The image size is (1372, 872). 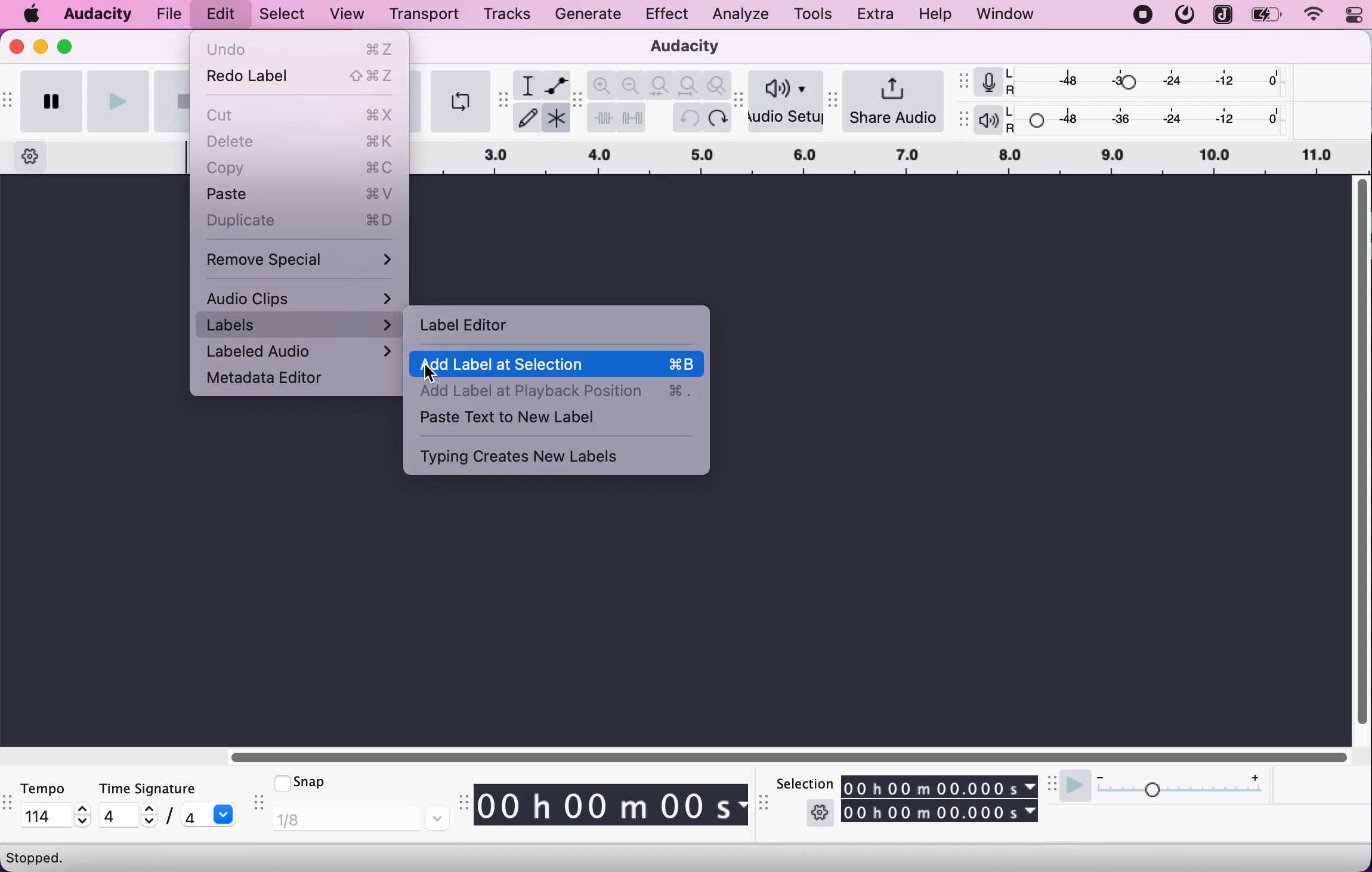 What do you see at coordinates (118, 100) in the screenshot?
I see `play` at bounding box center [118, 100].